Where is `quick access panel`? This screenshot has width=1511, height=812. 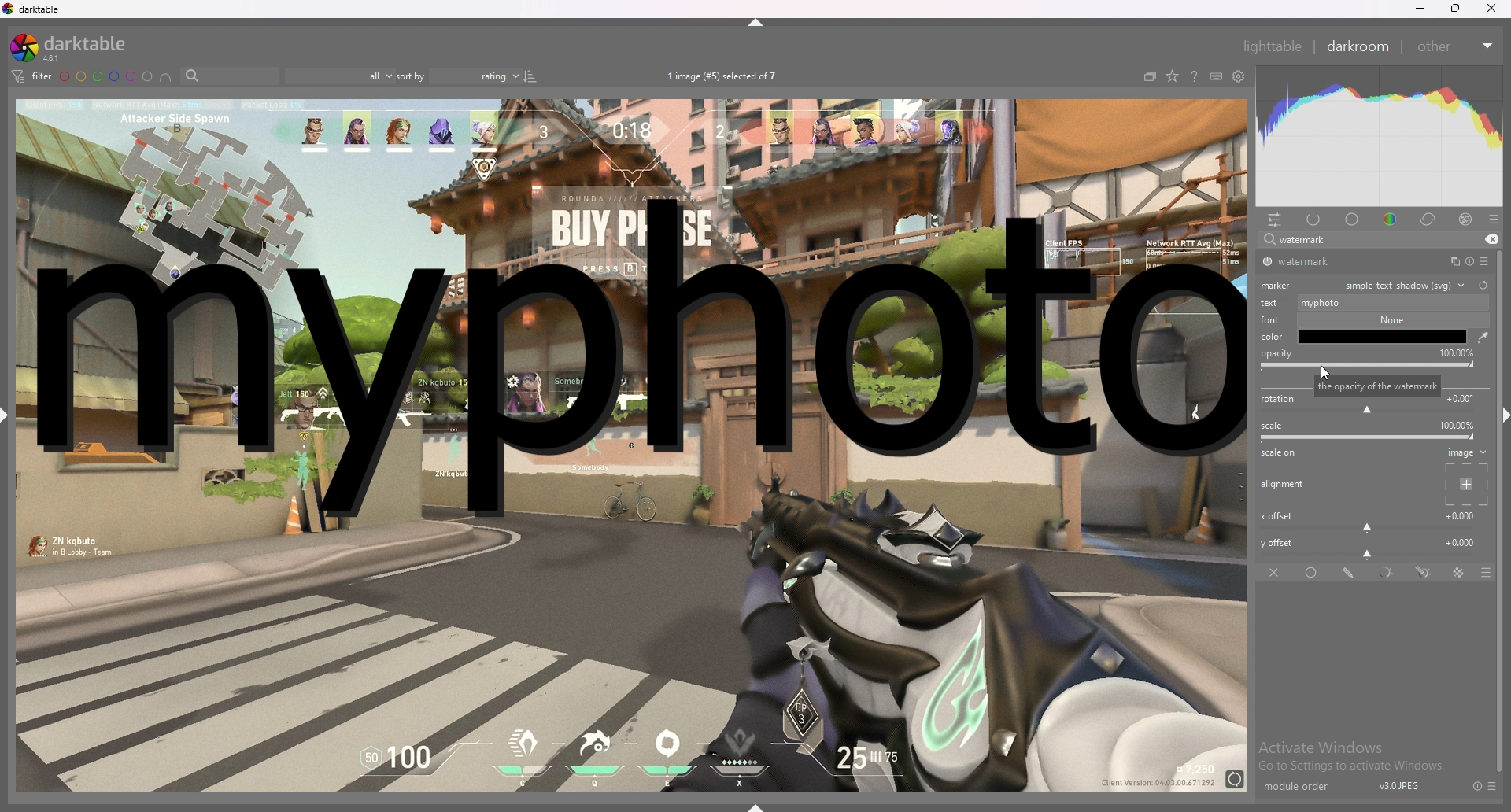
quick access panel is located at coordinates (1275, 220).